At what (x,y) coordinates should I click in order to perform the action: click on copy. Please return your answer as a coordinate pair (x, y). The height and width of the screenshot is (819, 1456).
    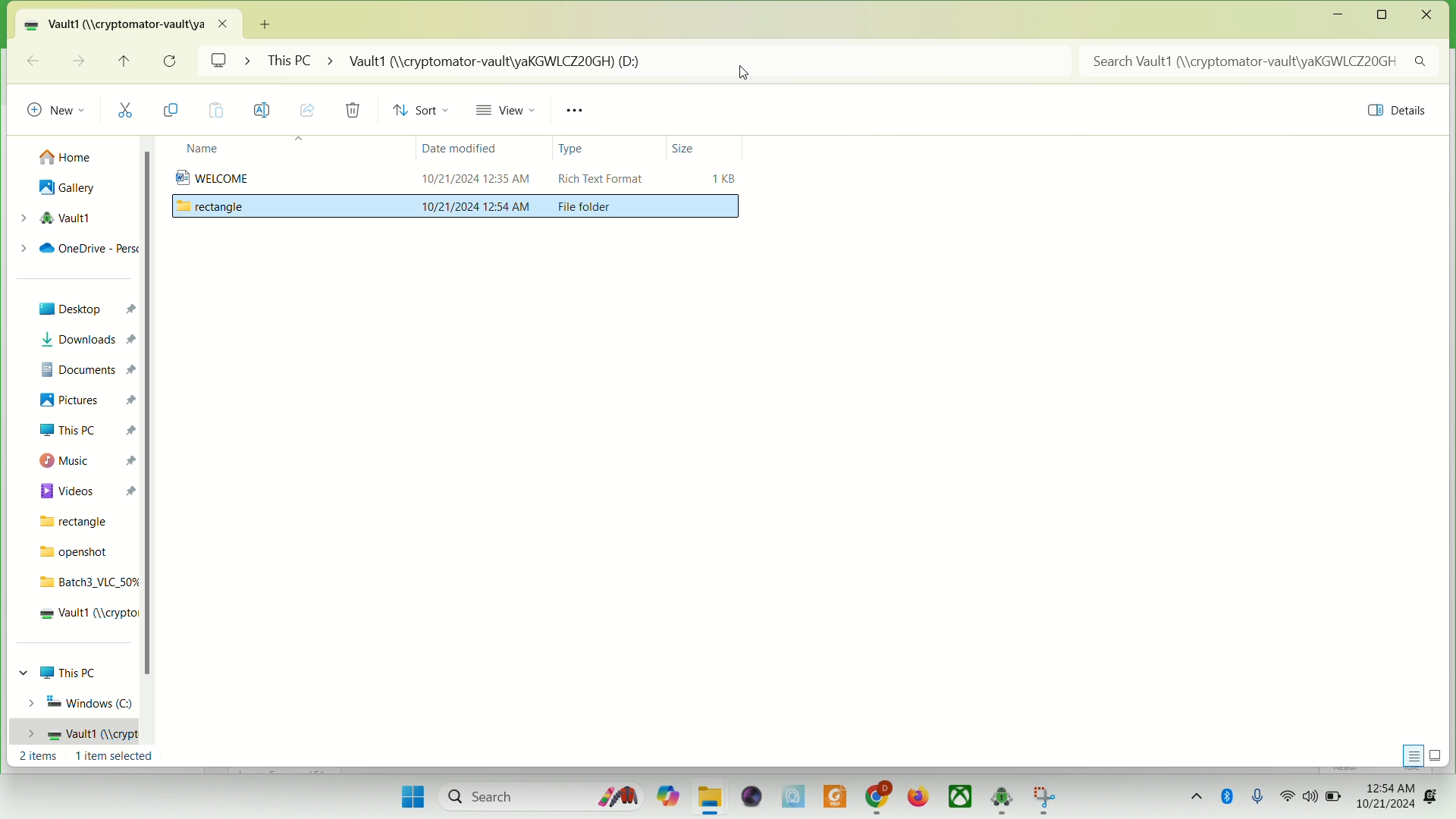
    Looking at the image, I should click on (176, 111).